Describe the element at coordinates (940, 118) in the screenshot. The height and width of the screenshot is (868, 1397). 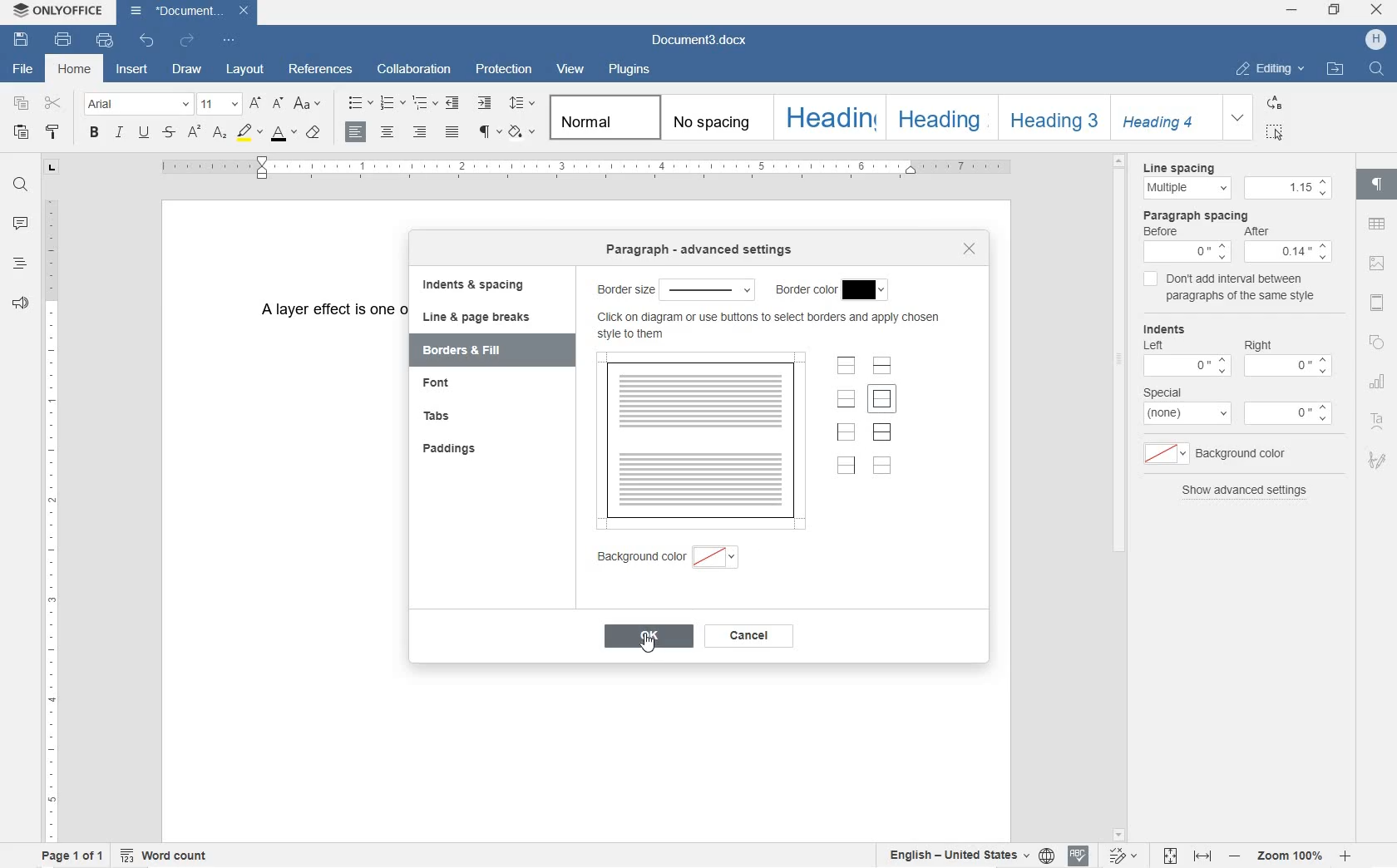
I see `HEADING 2` at that location.